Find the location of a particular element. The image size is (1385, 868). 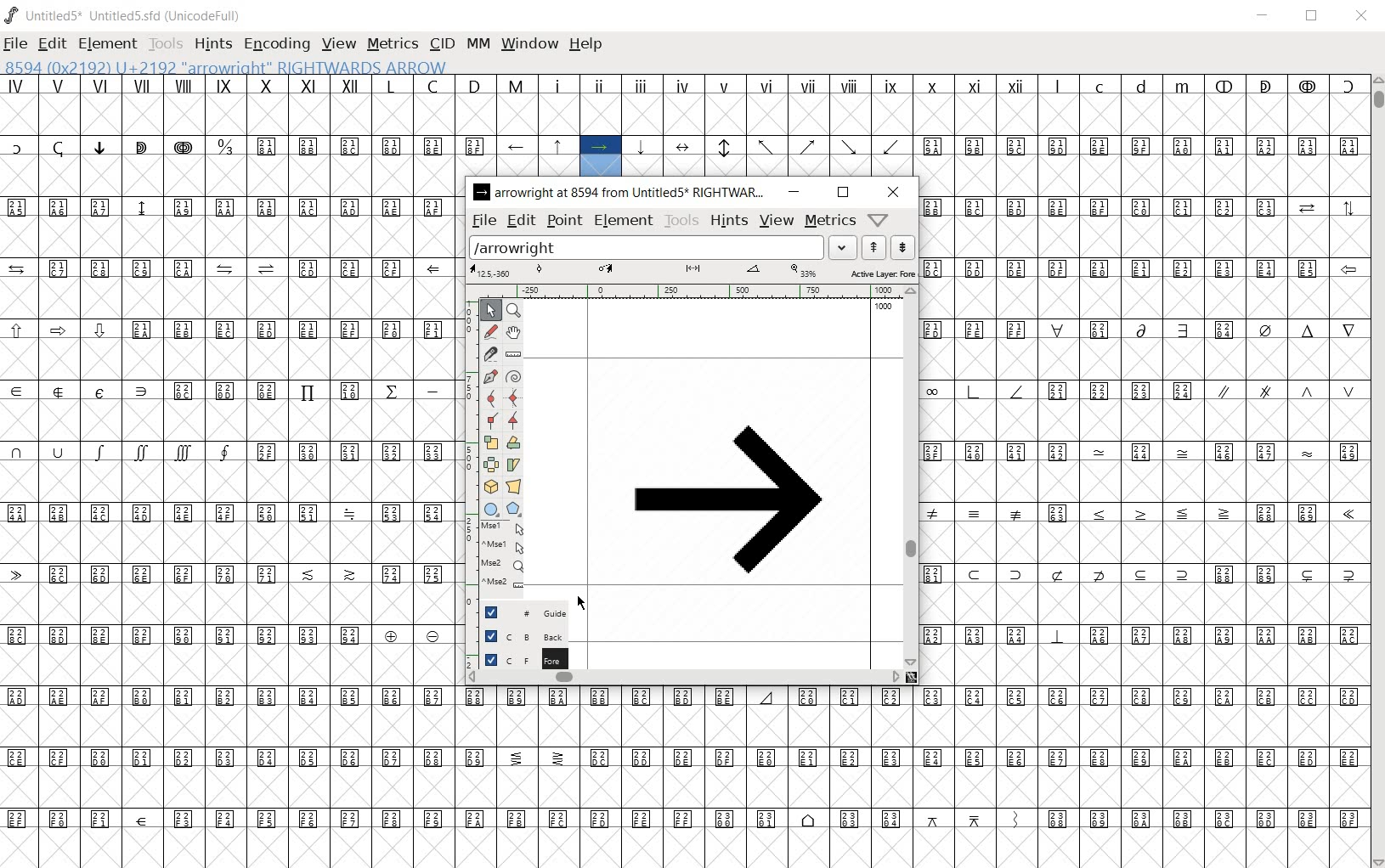

glyph characters is located at coordinates (996, 125).